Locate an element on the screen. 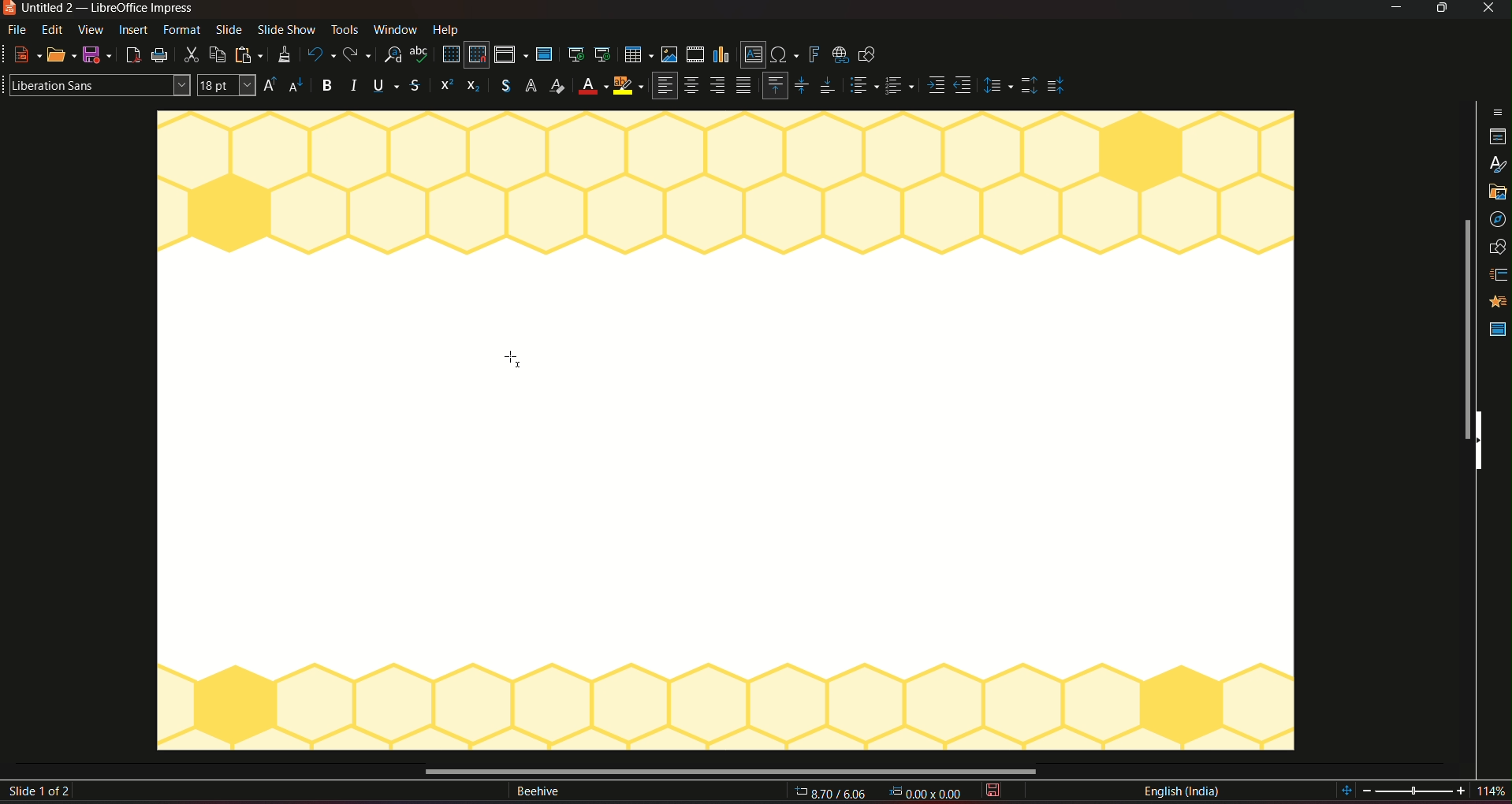 The width and height of the screenshot is (1512, 804). display grid is located at coordinates (450, 54).